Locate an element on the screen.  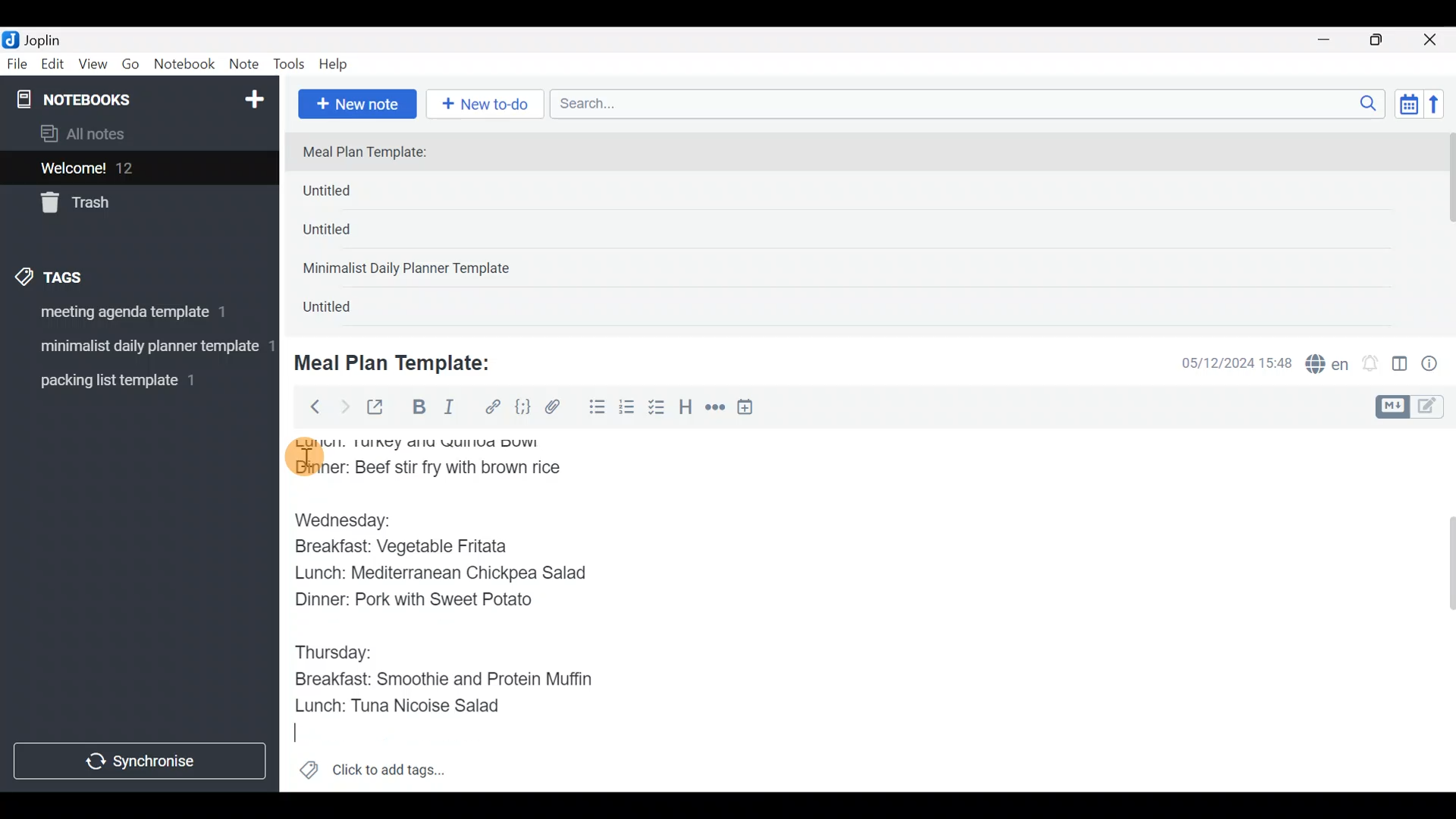
Lunch: Tuna Nicoise Salad is located at coordinates (410, 704).